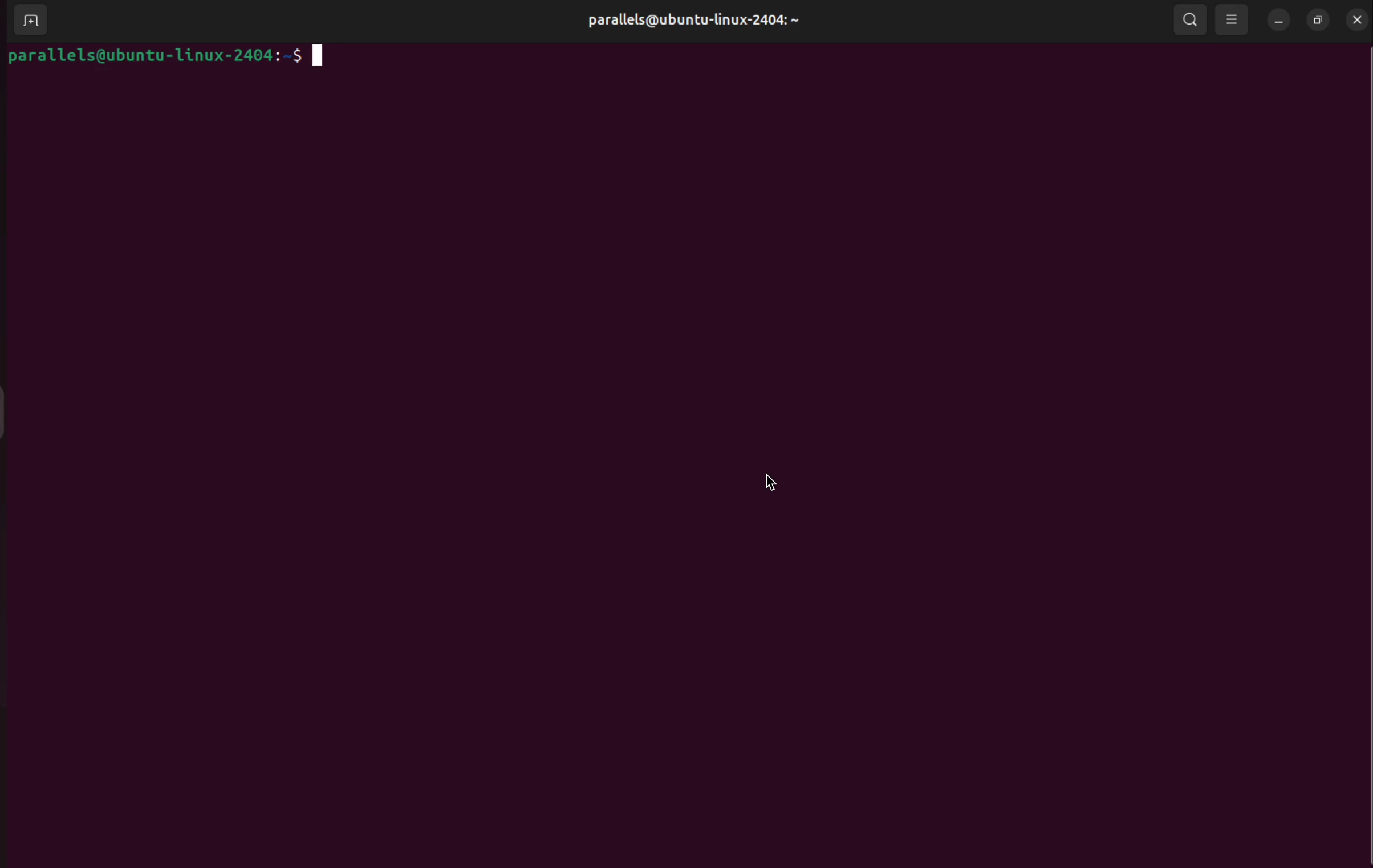 The height and width of the screenshot is (868, 1373). I want to click on resize, so click(1319, 19).